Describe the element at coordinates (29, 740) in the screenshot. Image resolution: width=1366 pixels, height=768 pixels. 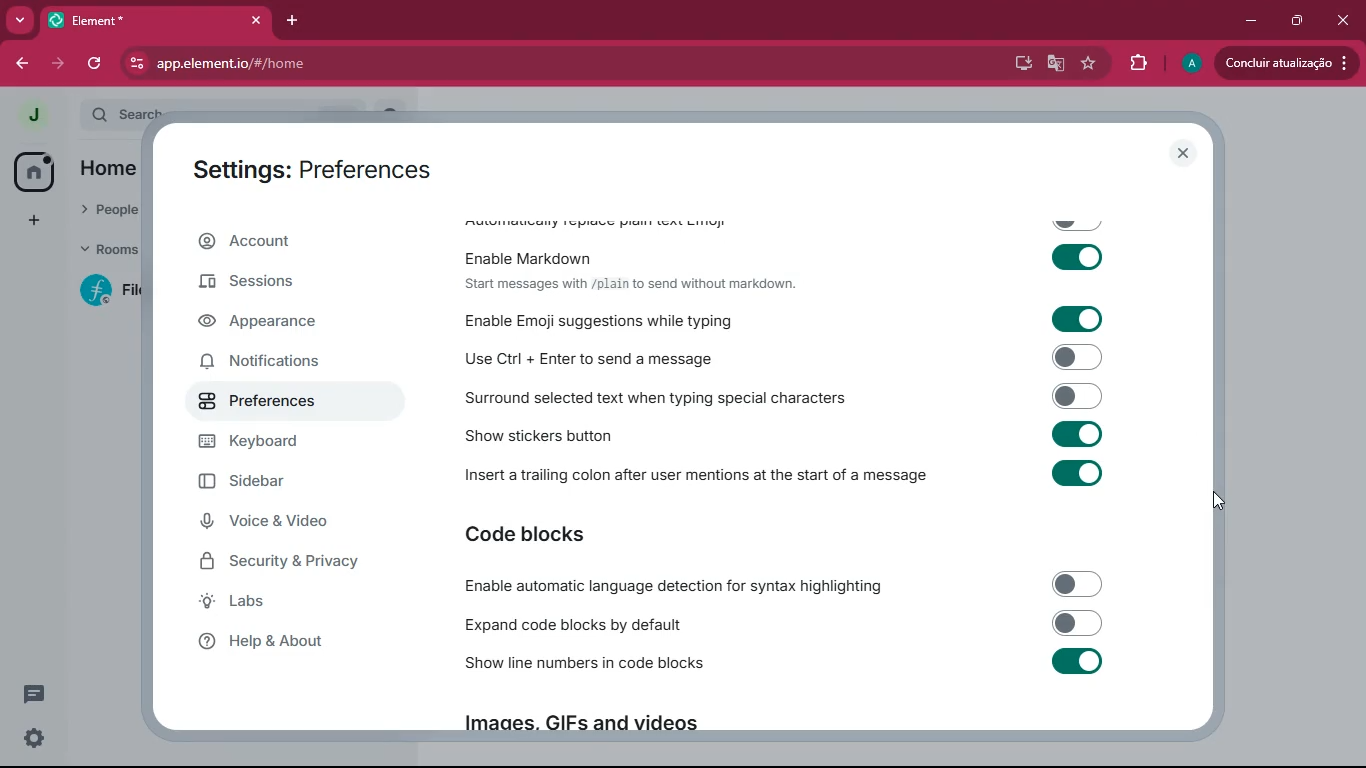
I see `settings` at that location.